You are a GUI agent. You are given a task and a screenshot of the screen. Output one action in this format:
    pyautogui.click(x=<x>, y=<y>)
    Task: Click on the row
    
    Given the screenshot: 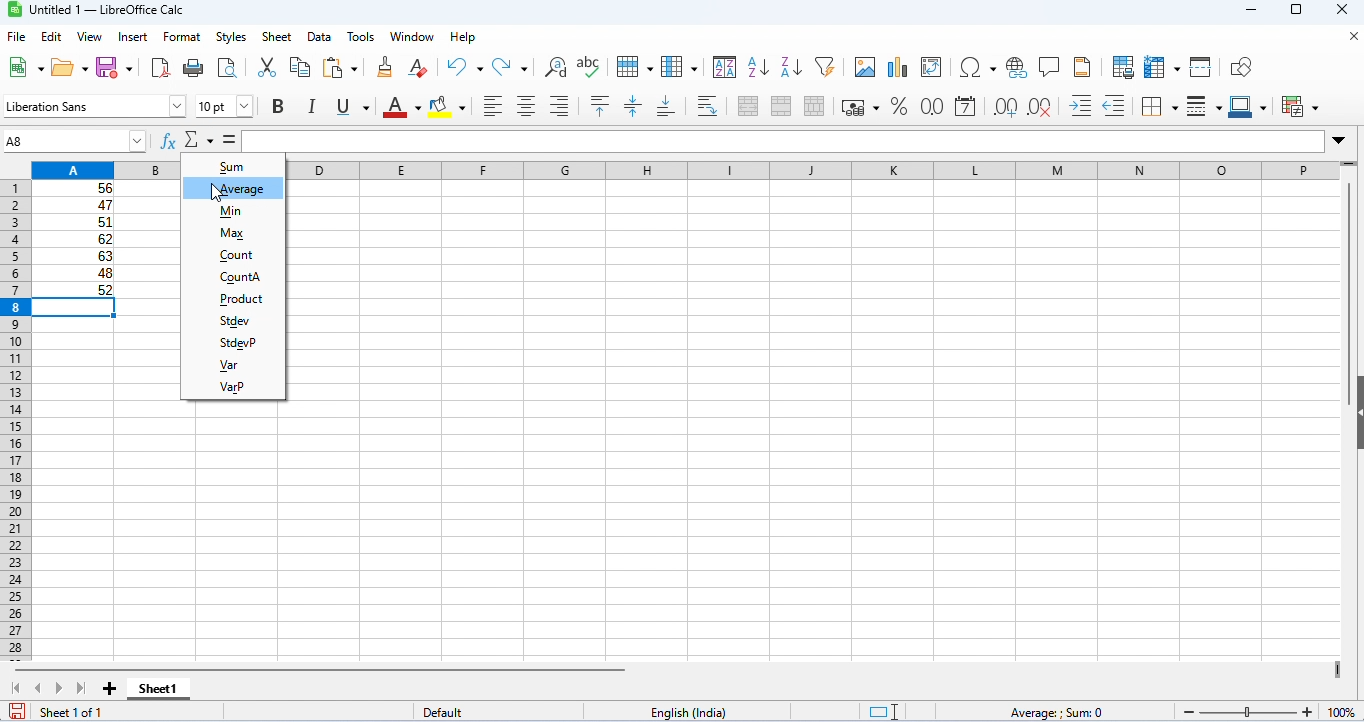 What is the action you would take?
    pyautogui.click(x=633, y=65)
    